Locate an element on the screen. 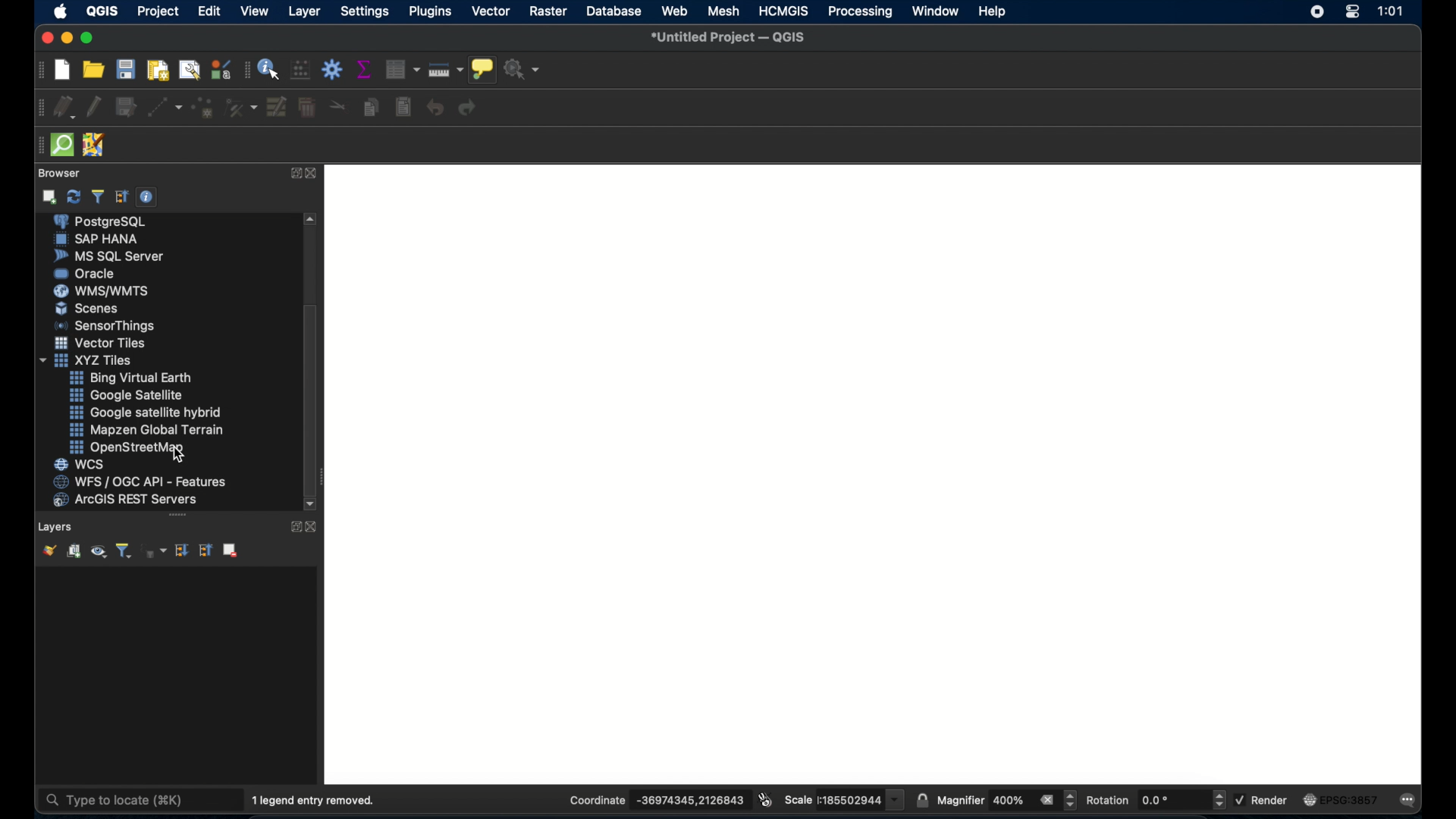 This screenshot has height=819, width=1456. postgre sql is located at coordinates (105, 221).